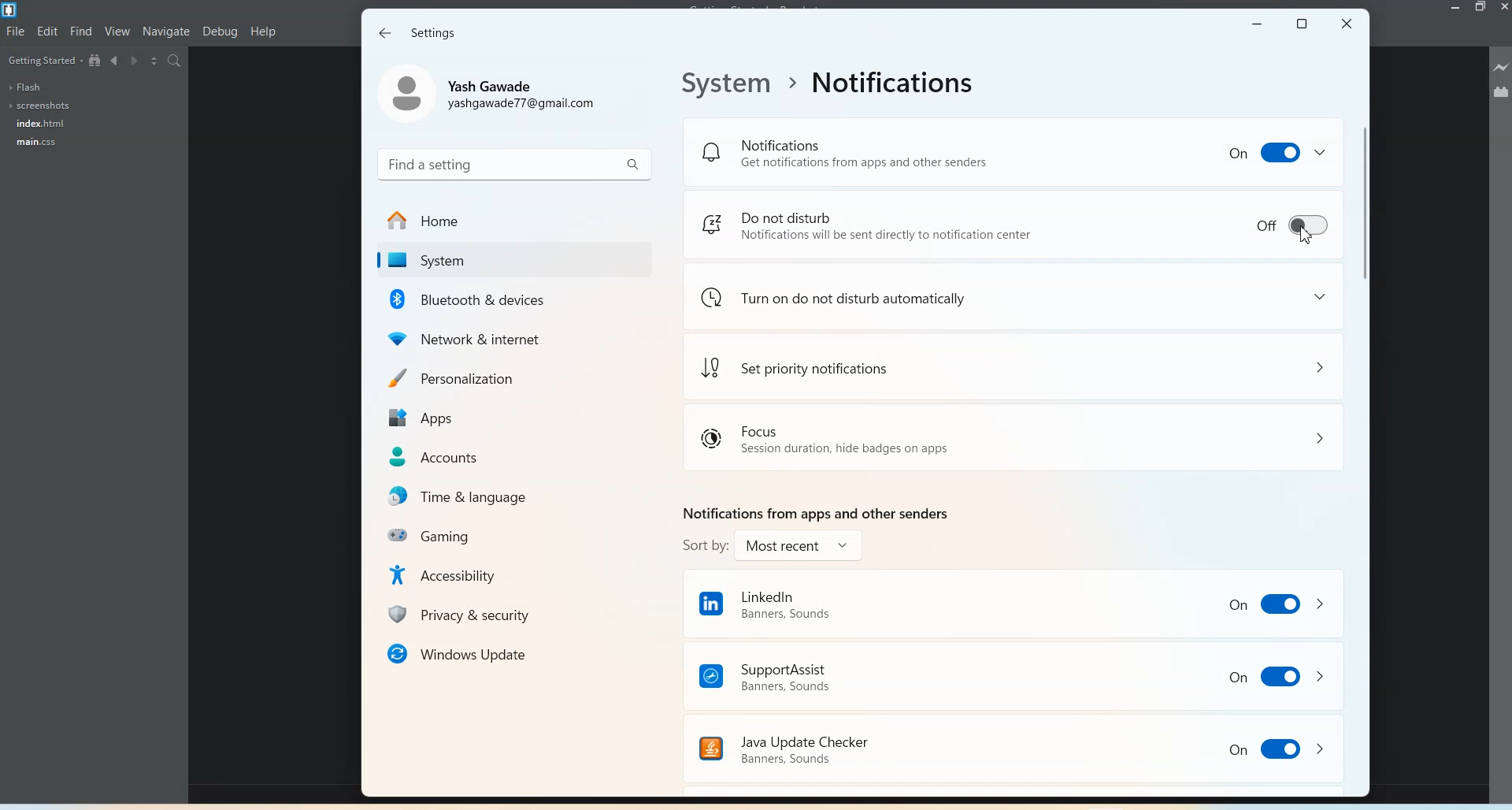  I want to click on Personalization, so click(509, 375).